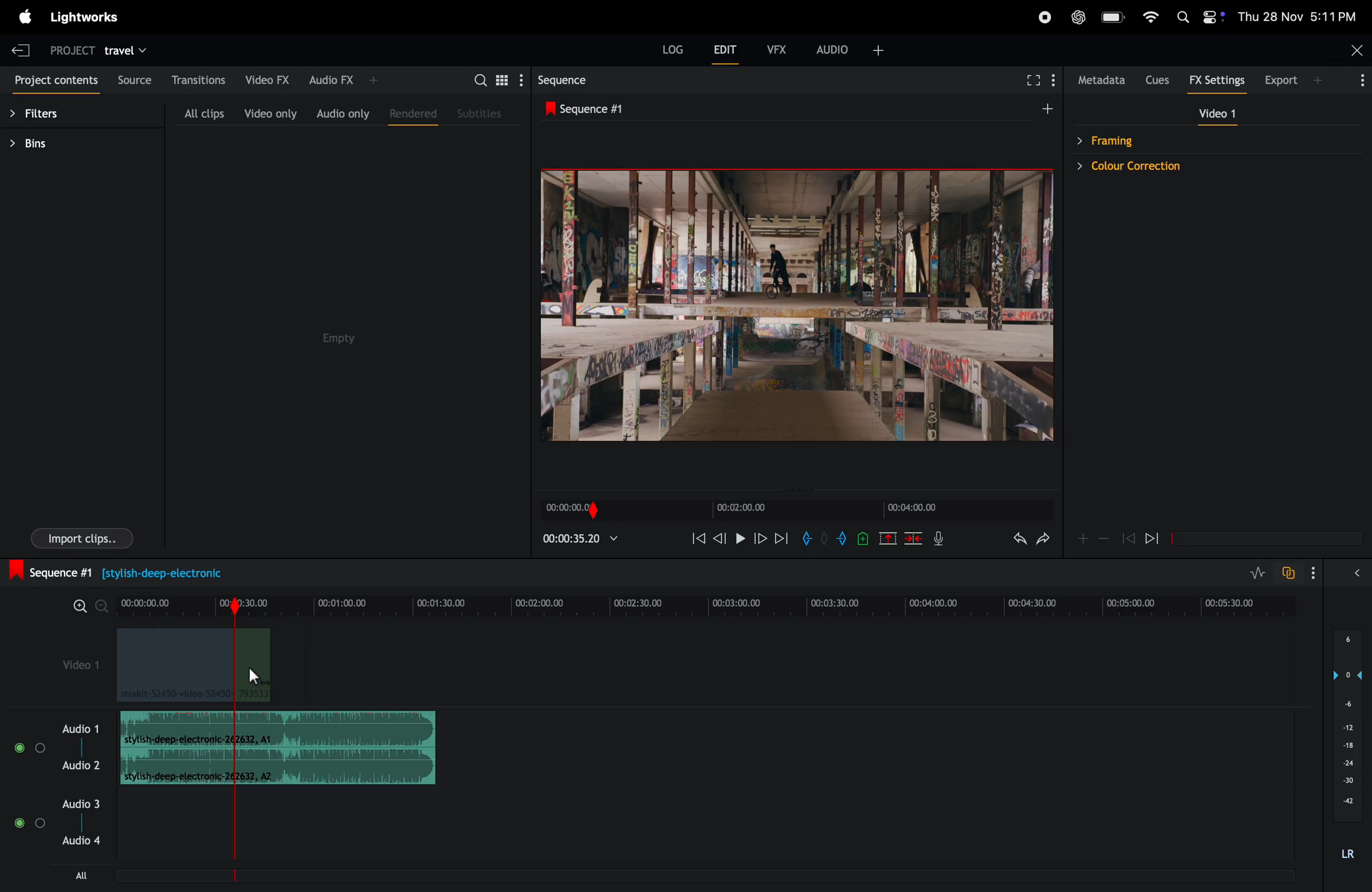  Describe the element at coordinates (740, 537) in the screenshot. I see `pause and play` at that location.